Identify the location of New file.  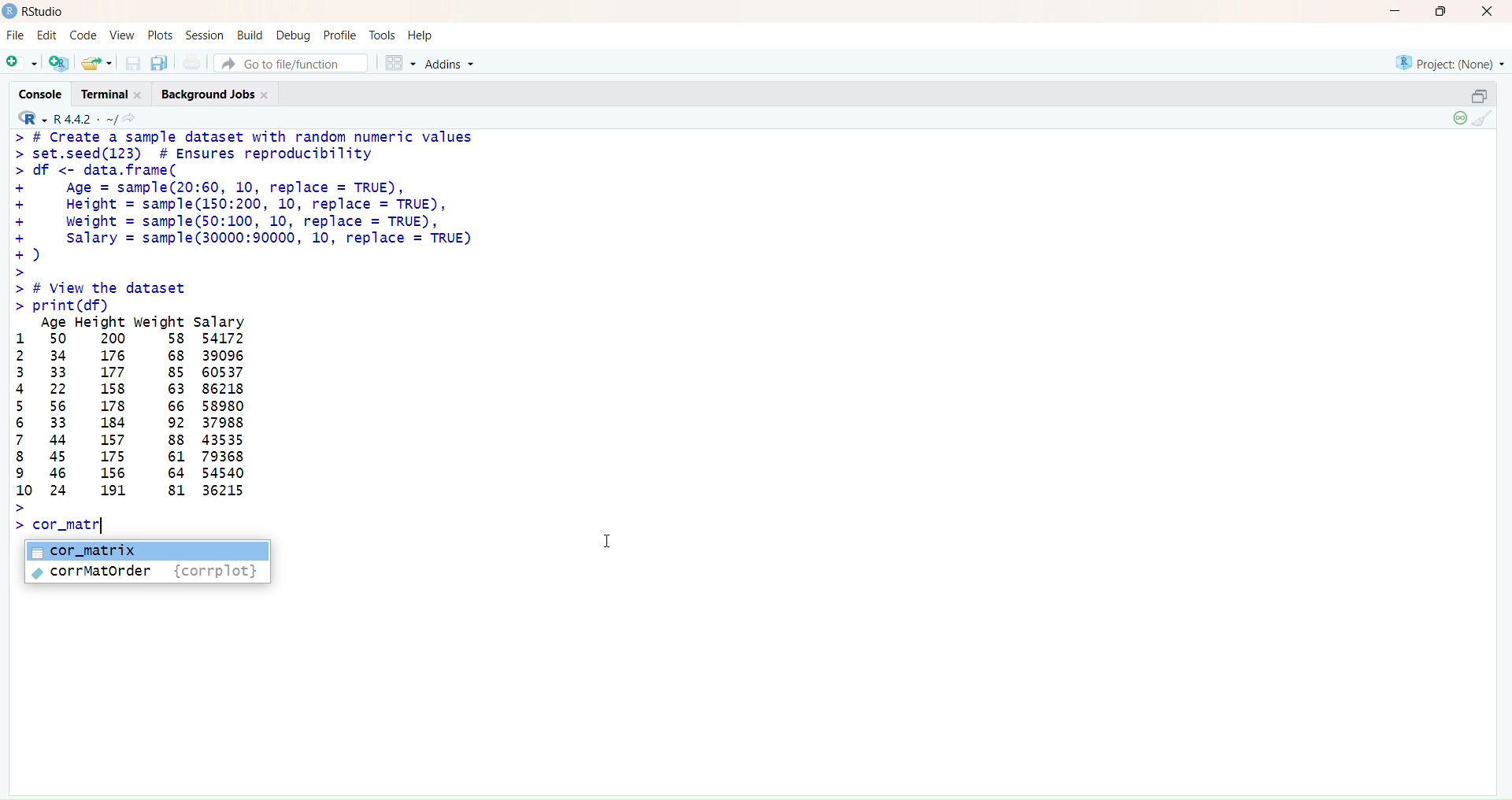
(22, 61).